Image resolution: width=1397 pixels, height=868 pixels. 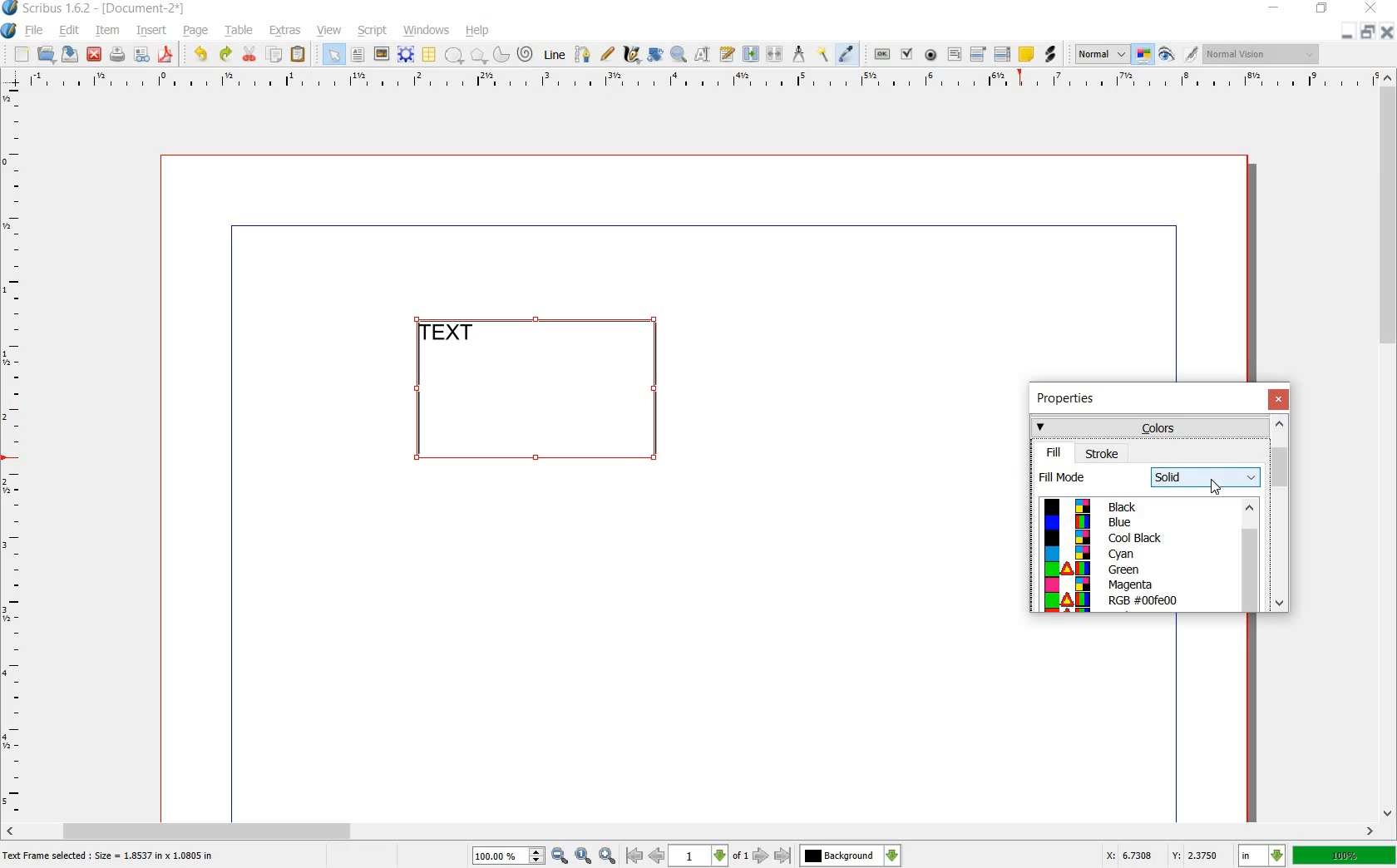 I want to click on black, so click(x=1123, y=506).